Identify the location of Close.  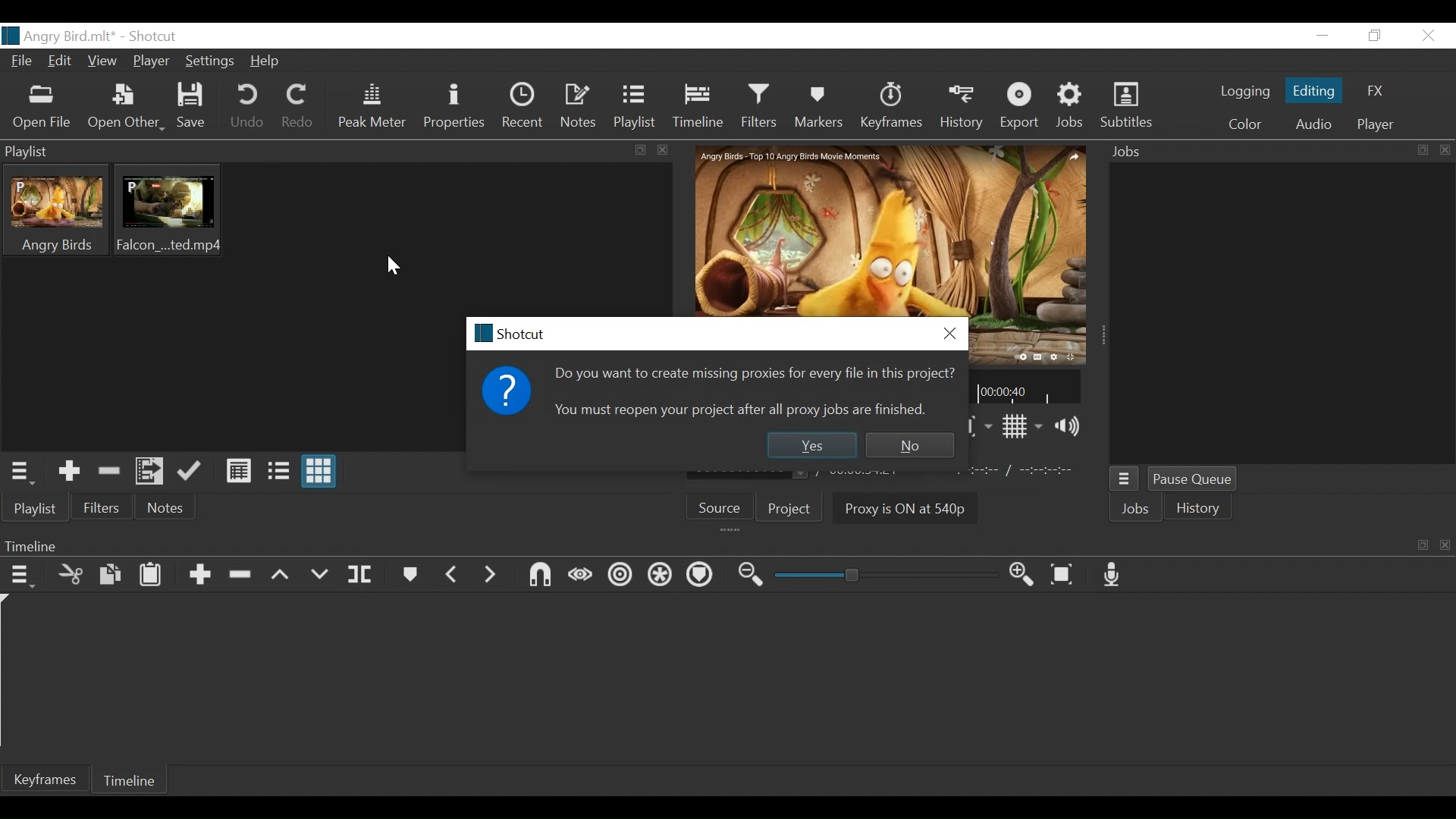
(948, 333).